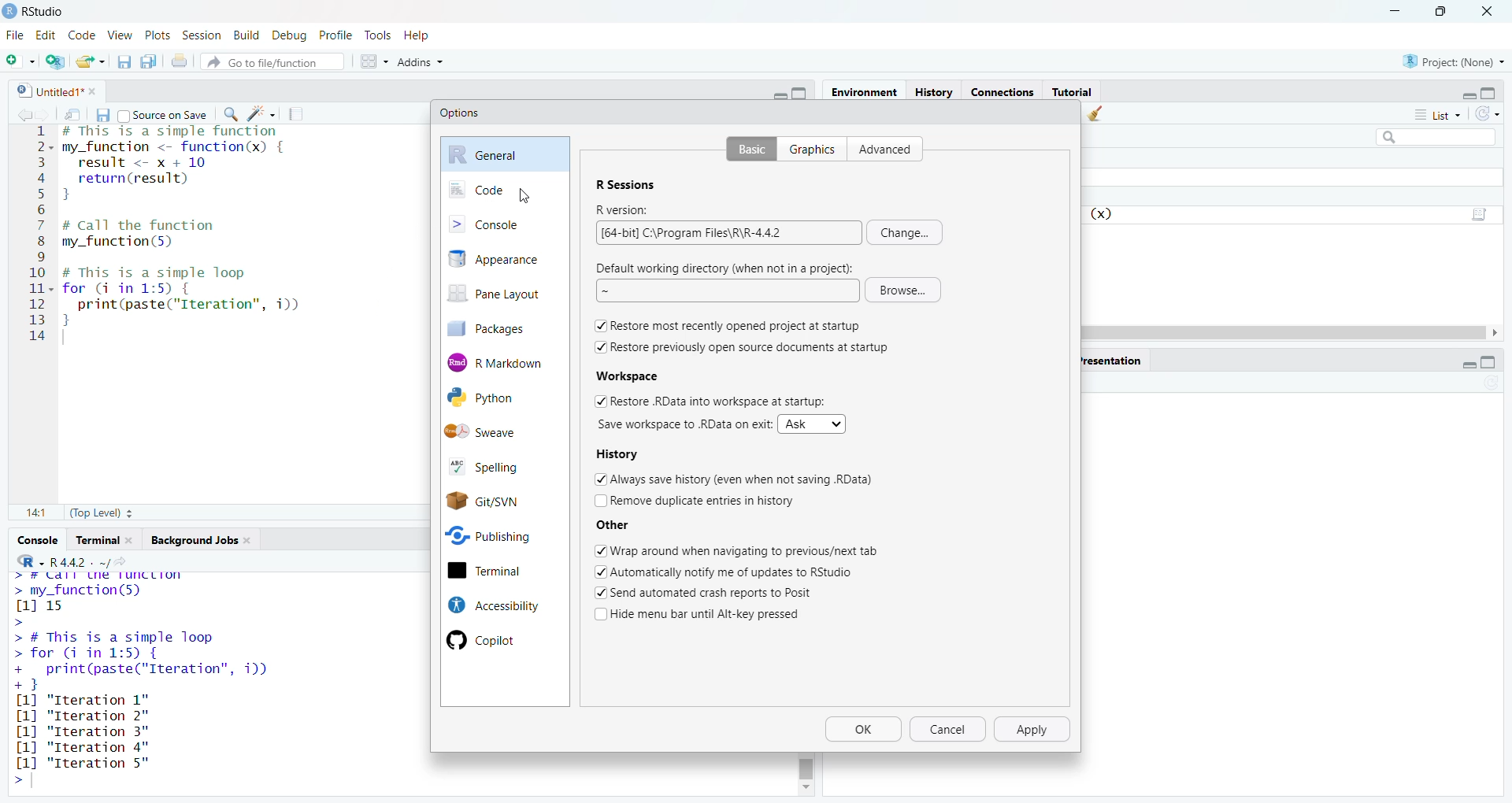 The height and width of the screenshot is (803, 1512). Describe the element at coordinates (1492, 9) in the screenshot. I see `close` at that location.